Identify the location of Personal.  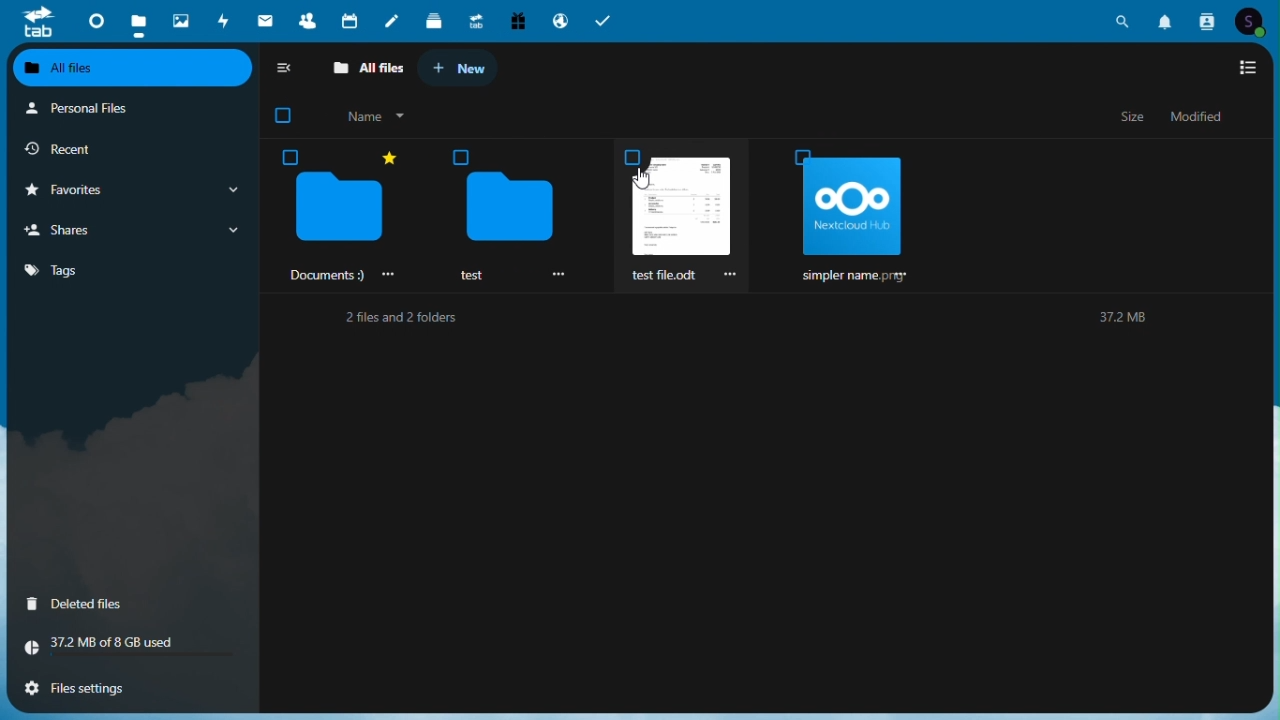
(127, 112).